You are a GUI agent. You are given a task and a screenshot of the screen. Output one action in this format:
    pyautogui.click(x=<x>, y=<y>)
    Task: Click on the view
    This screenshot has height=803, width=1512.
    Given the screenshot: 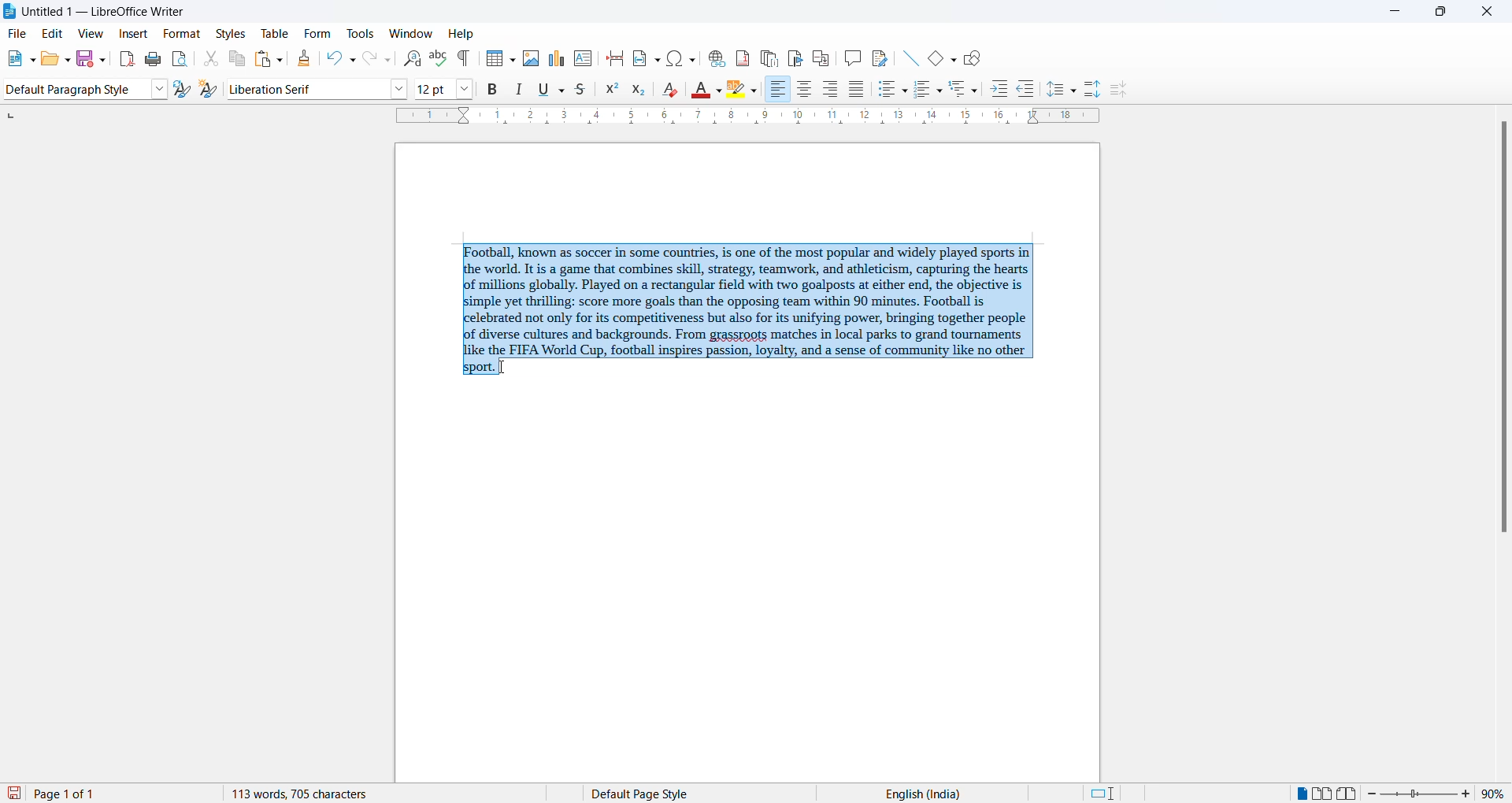 What is the action you would take?
    pyautogui.click(x=88, y=33)
    